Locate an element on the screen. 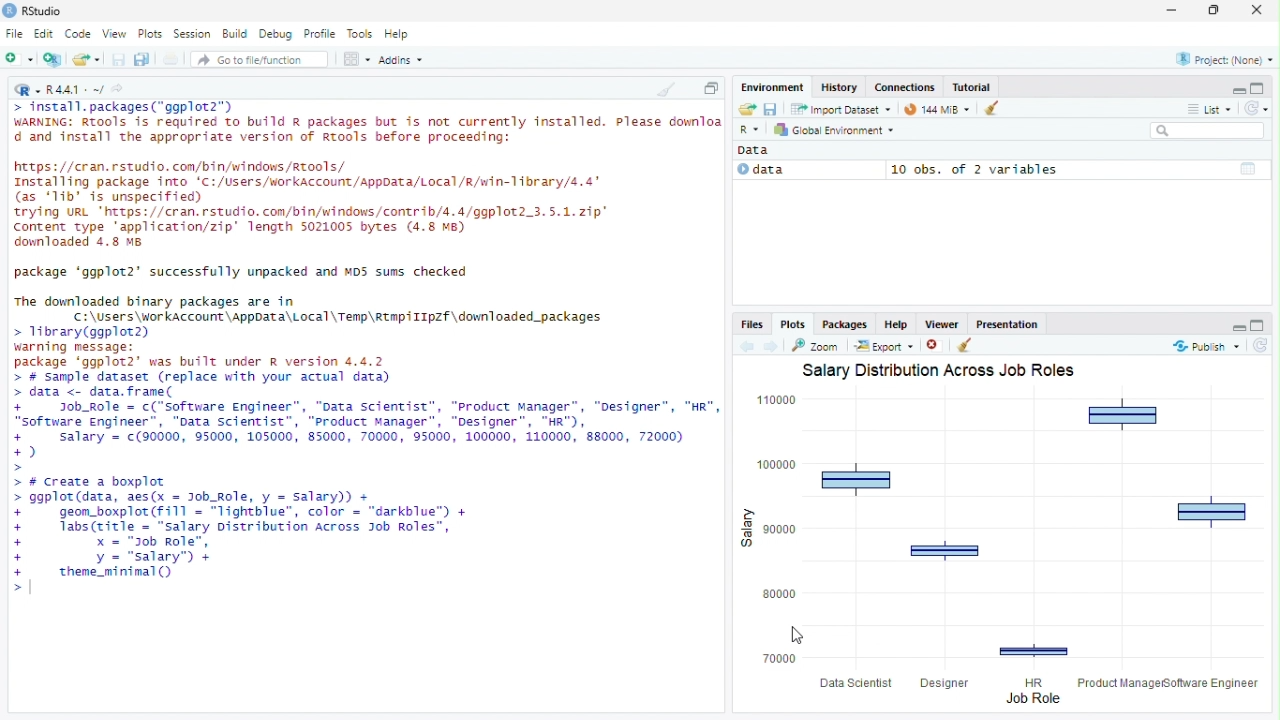  File is located at coordinates (15, 35).